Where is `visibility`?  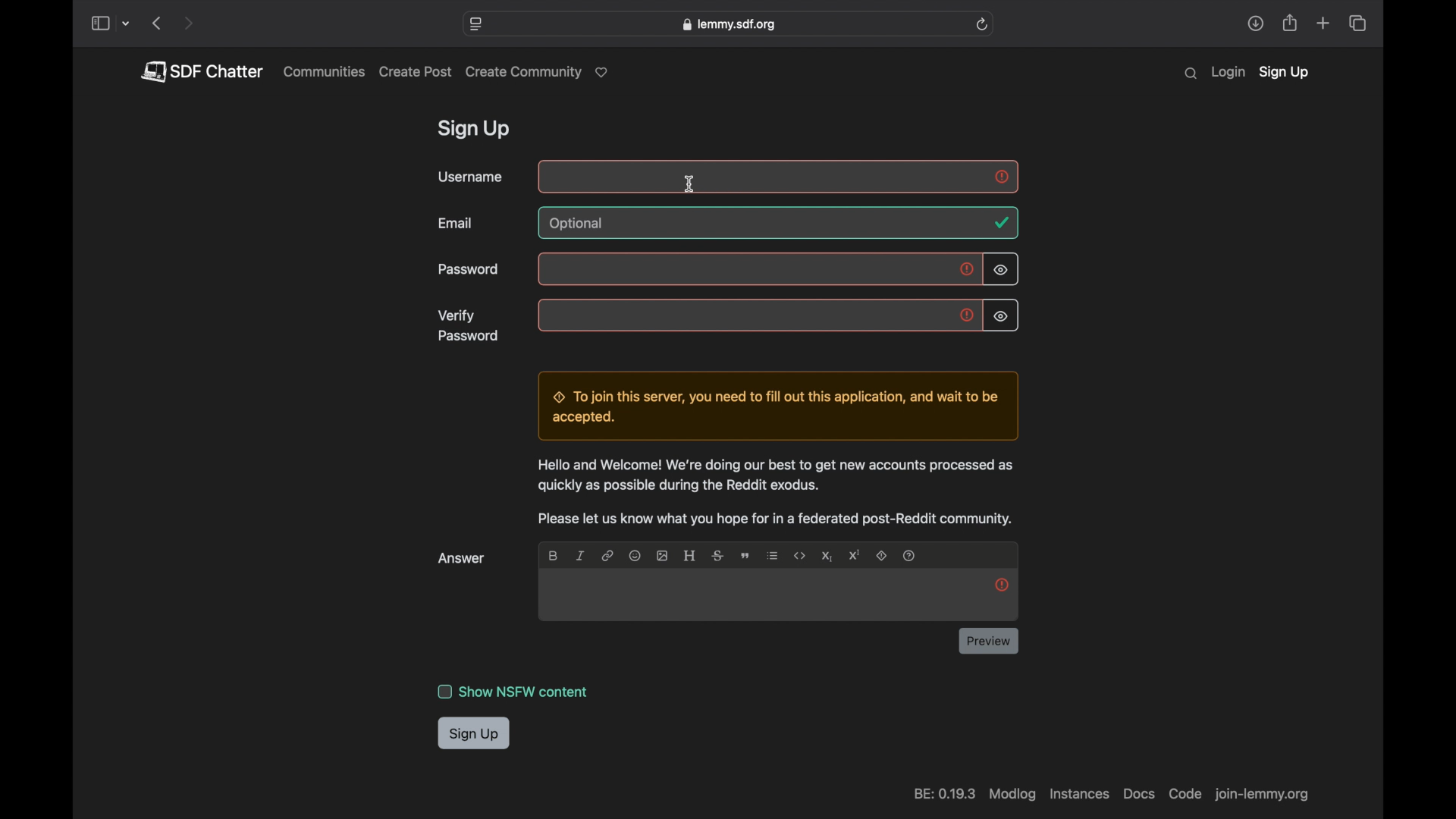 visibility is located at coordinates (1002, 270).